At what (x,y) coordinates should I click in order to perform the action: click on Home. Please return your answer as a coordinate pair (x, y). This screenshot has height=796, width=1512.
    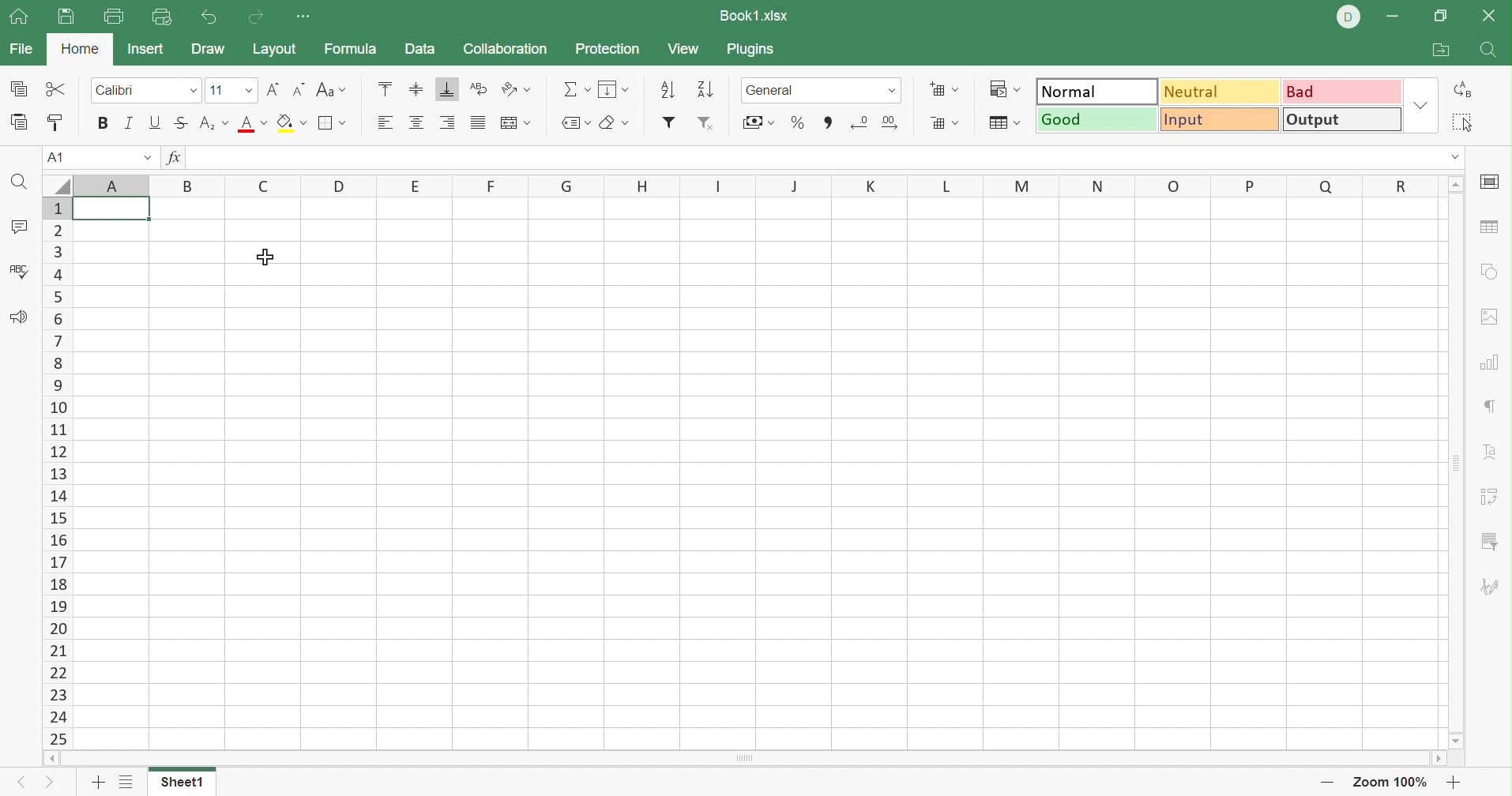
    Looking at the image, I should click on (83, 49).